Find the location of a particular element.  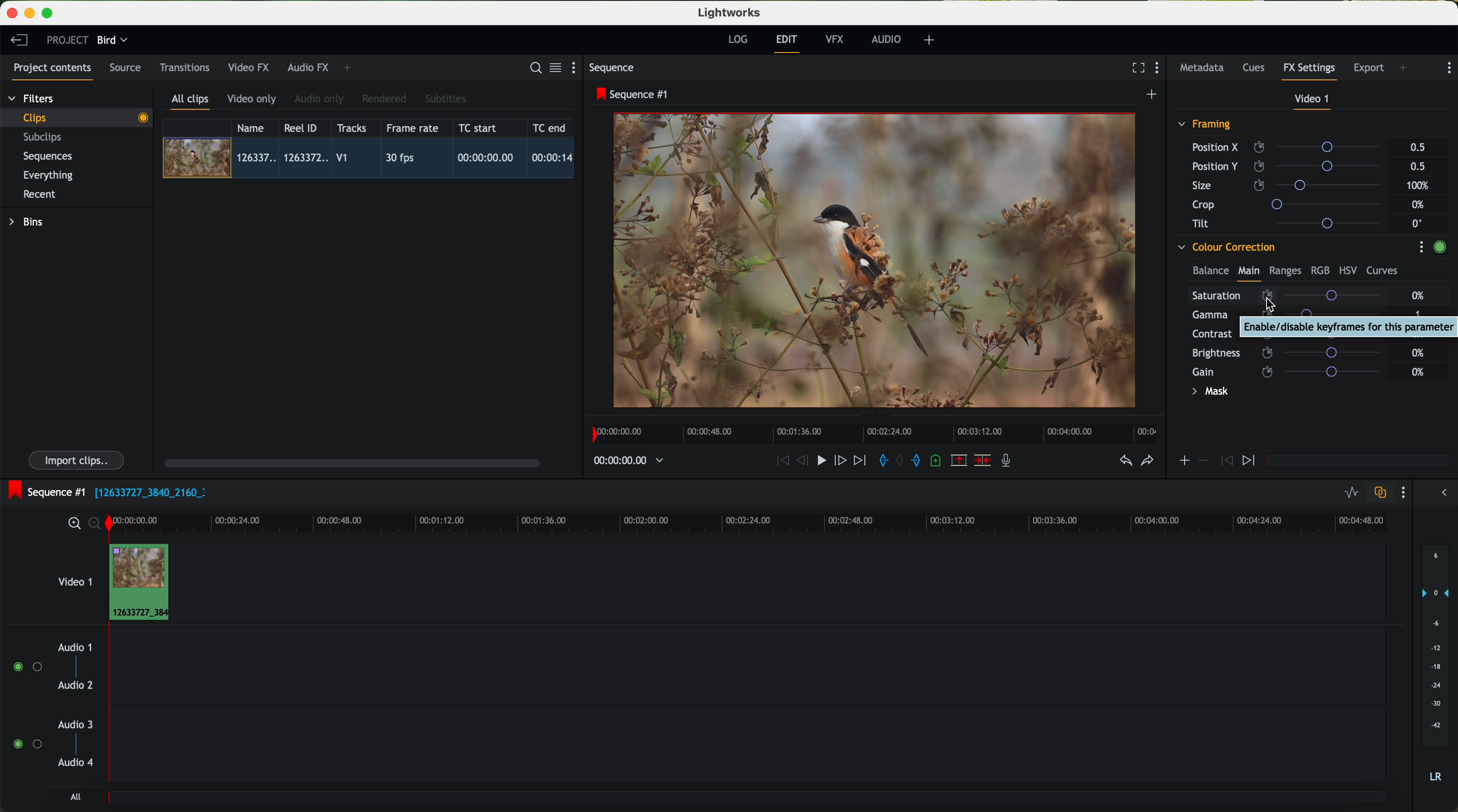

name is located at coordinates (255, 128).